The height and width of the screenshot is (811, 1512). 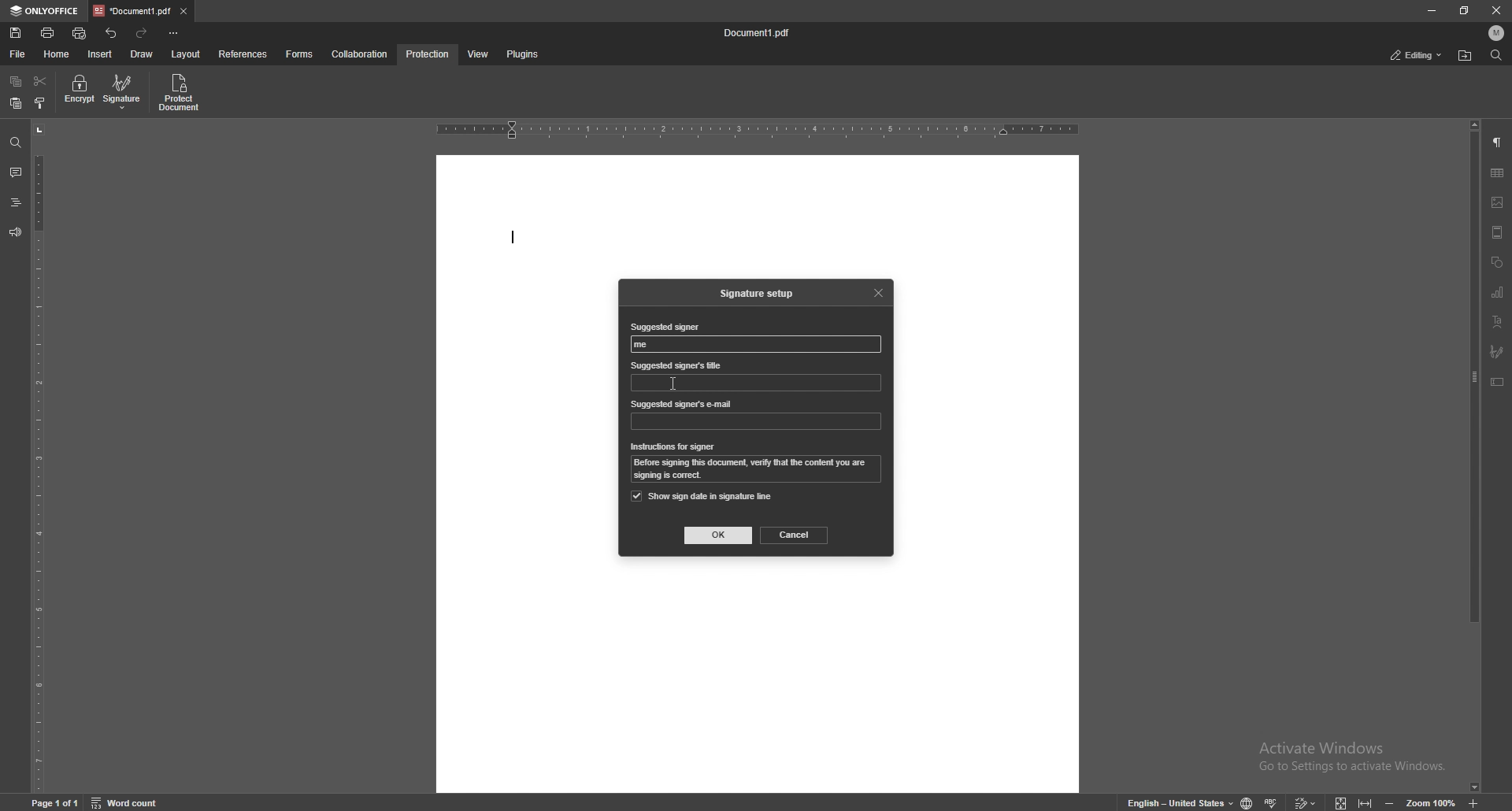 I want to click on copy style, so click(x=41, y=103).